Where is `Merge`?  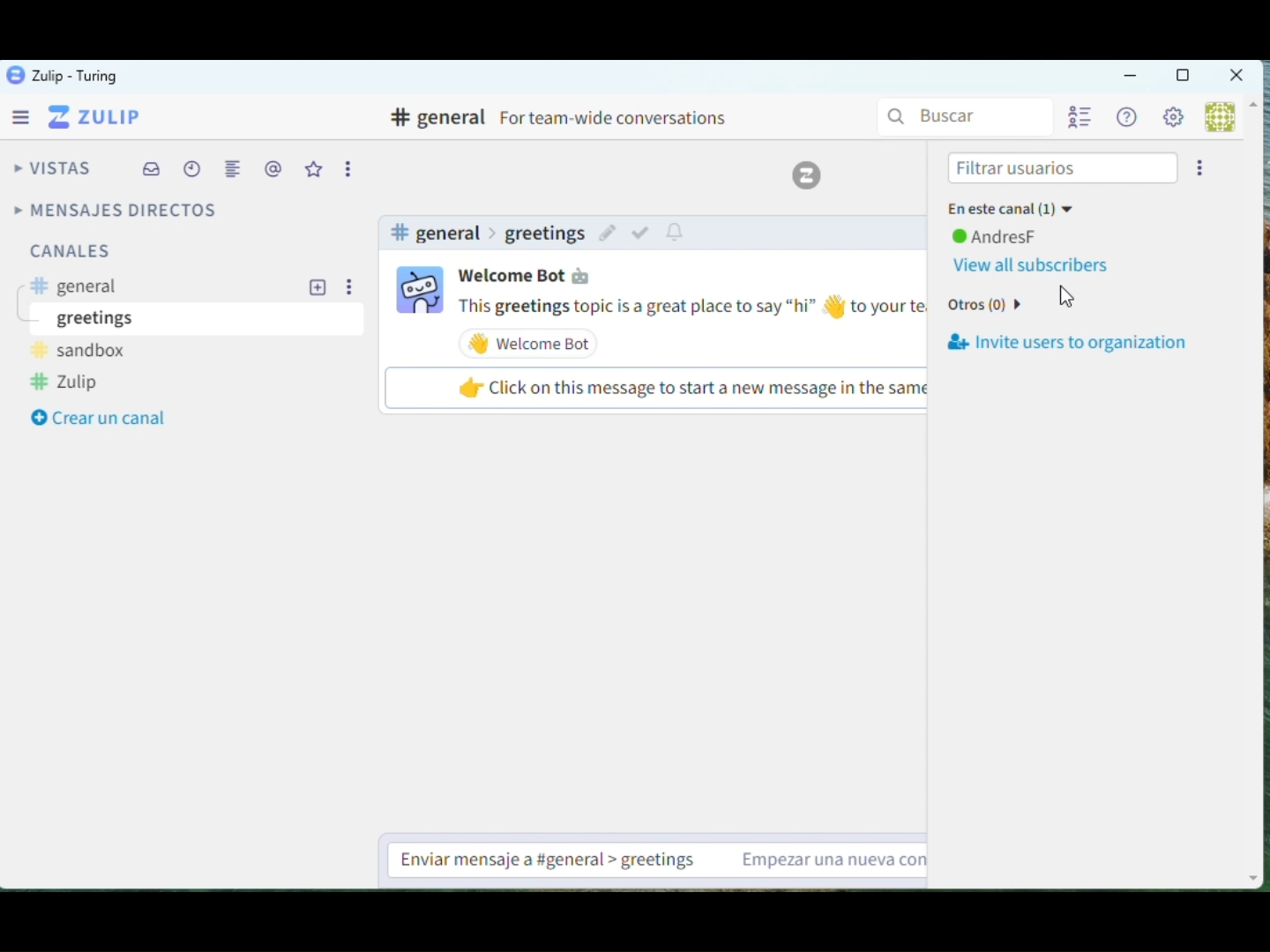 Merge is located at coordinates (235, 171).